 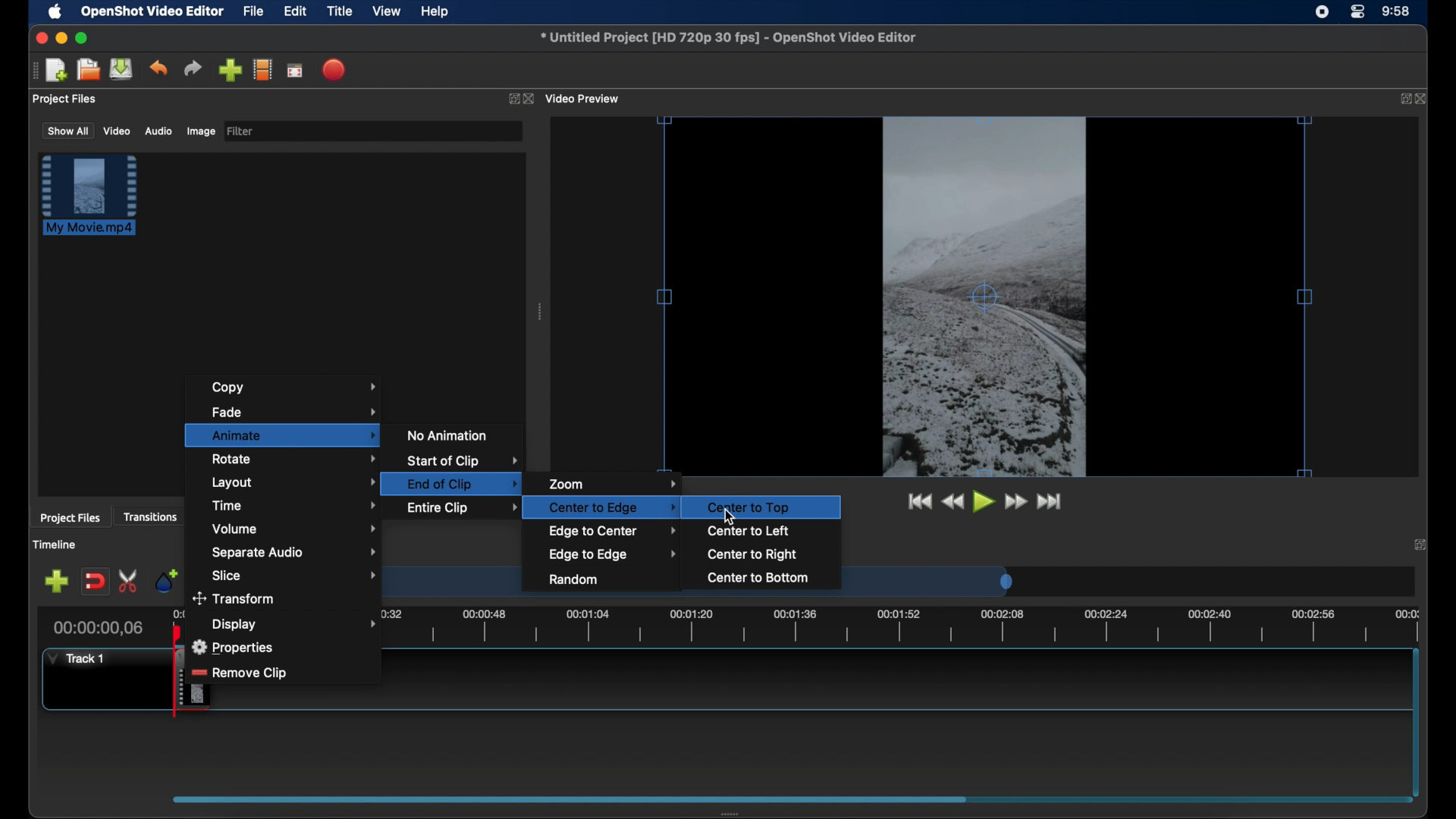 I want to click on project files, so click(x=66, y=99).